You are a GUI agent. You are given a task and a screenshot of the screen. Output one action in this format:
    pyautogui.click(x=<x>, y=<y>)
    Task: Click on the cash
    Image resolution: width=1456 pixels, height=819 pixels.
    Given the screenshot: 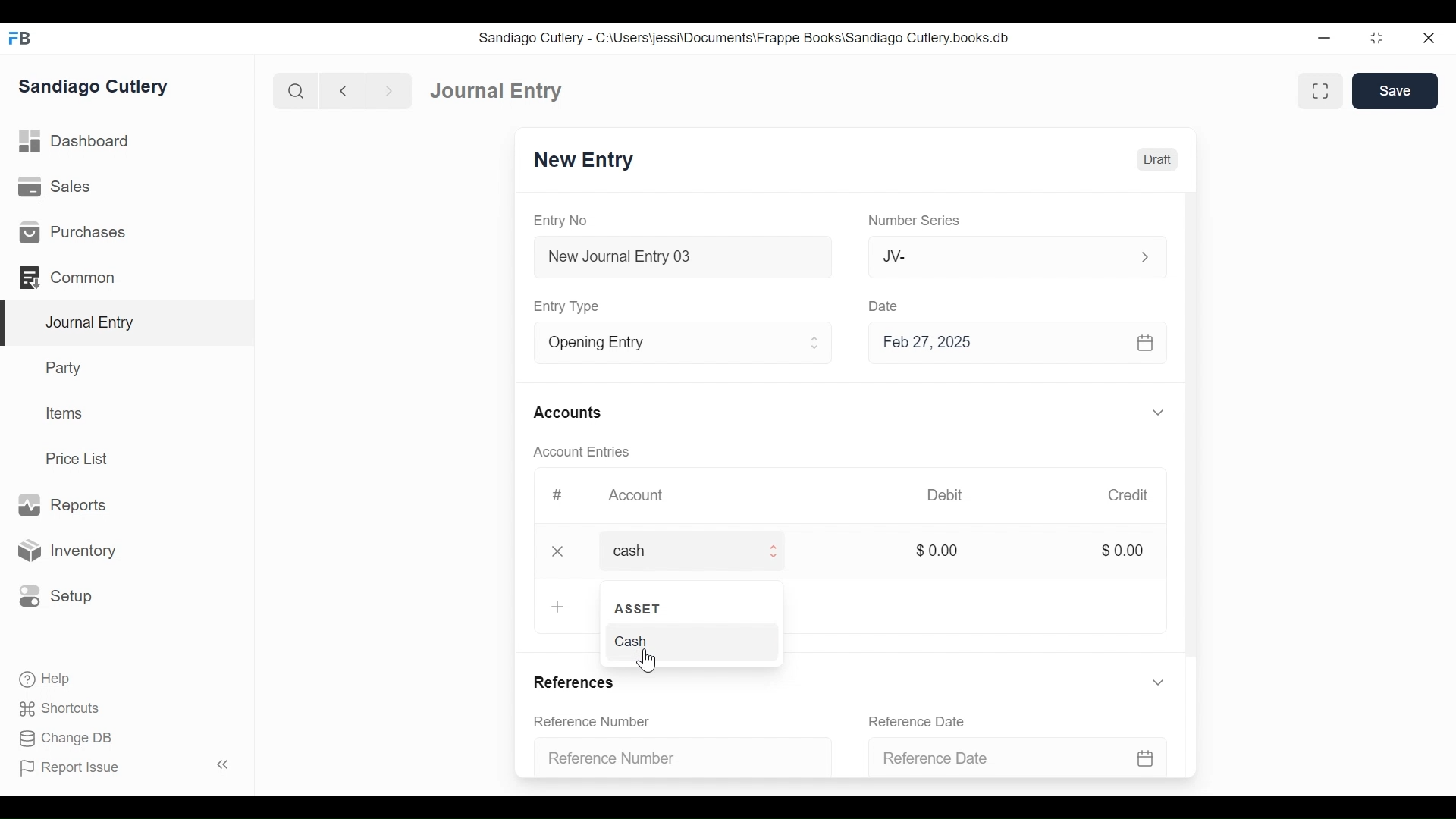 What is the action you would take?
    pyautogui.click(x=670, y=550)
    